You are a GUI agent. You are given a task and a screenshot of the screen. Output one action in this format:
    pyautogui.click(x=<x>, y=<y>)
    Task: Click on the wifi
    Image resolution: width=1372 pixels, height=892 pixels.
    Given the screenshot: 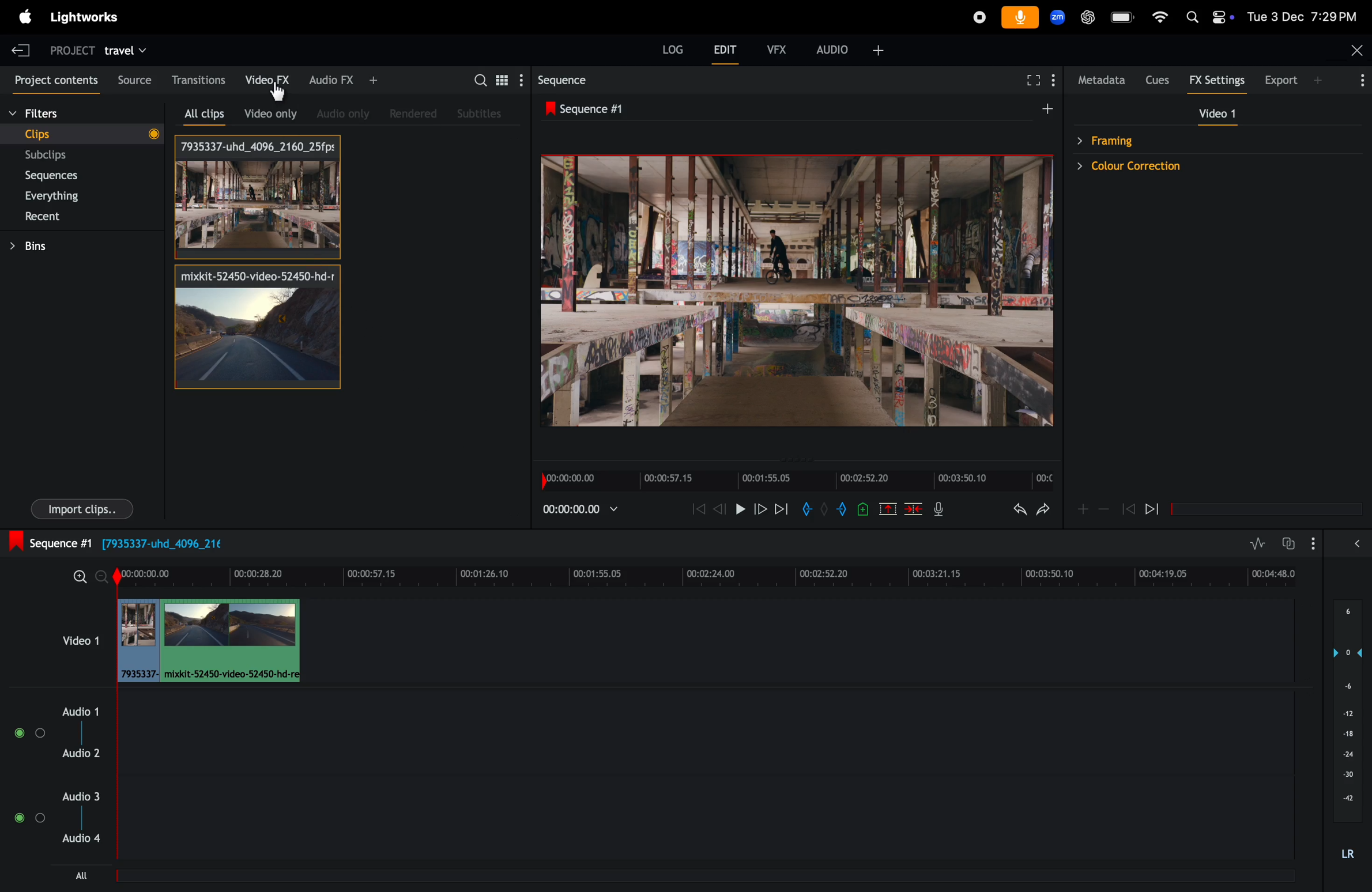 What is the action you would take?
    pyautogui.click(x=1160, y=16)
    